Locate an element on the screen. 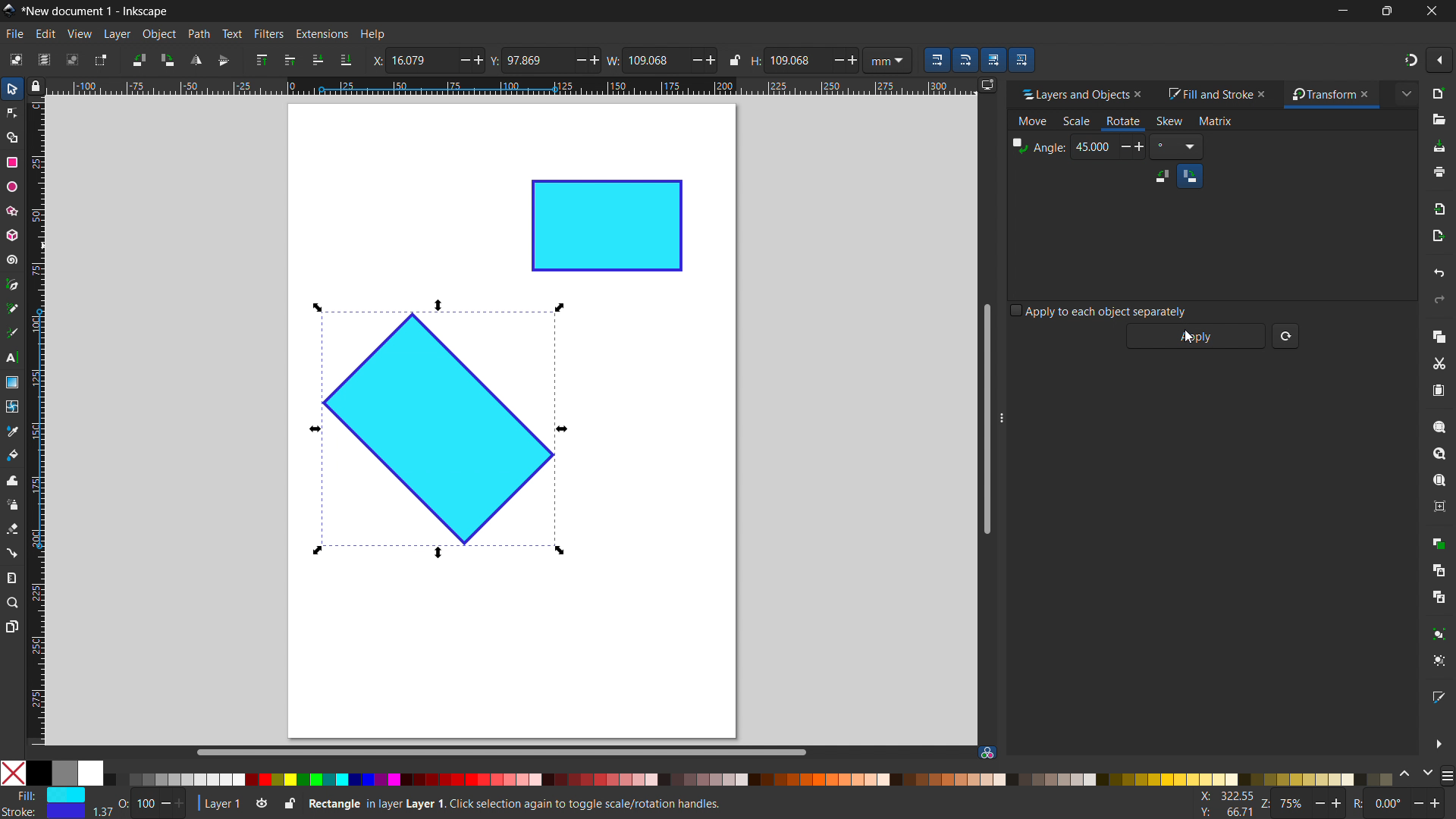 The image size is (1456, 819). save is located at coordinates (1439, 147).